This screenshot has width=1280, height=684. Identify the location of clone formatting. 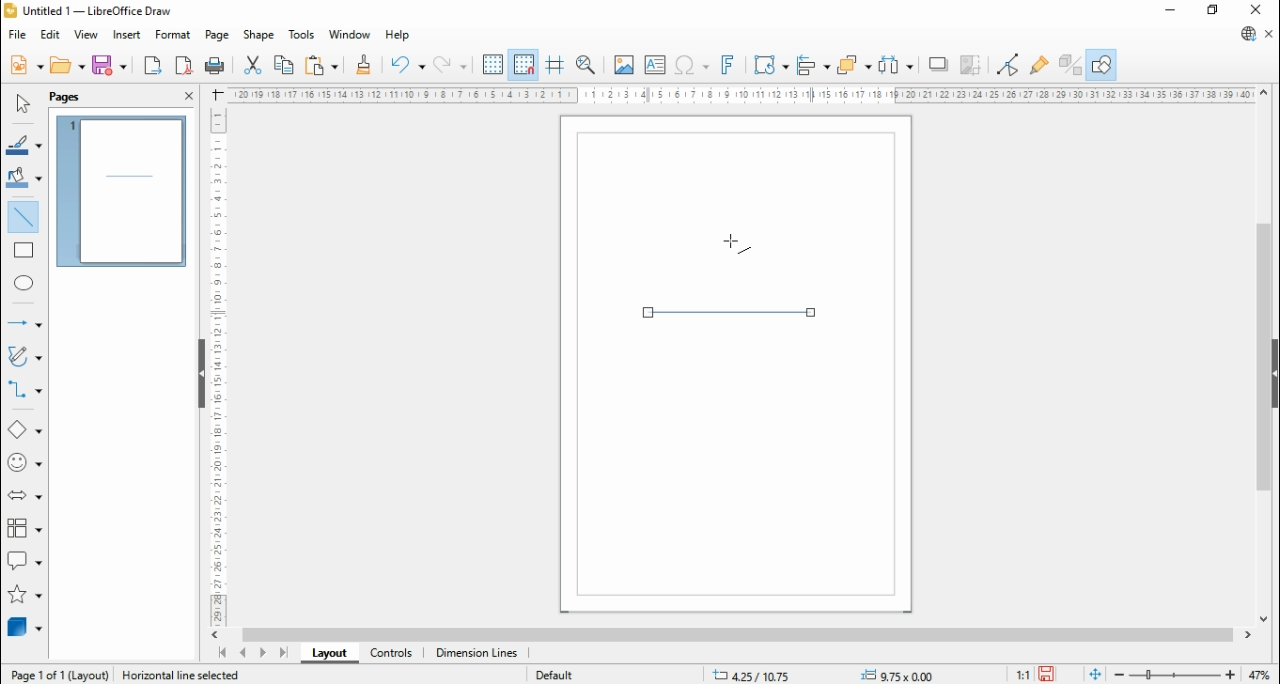
(362, 64).